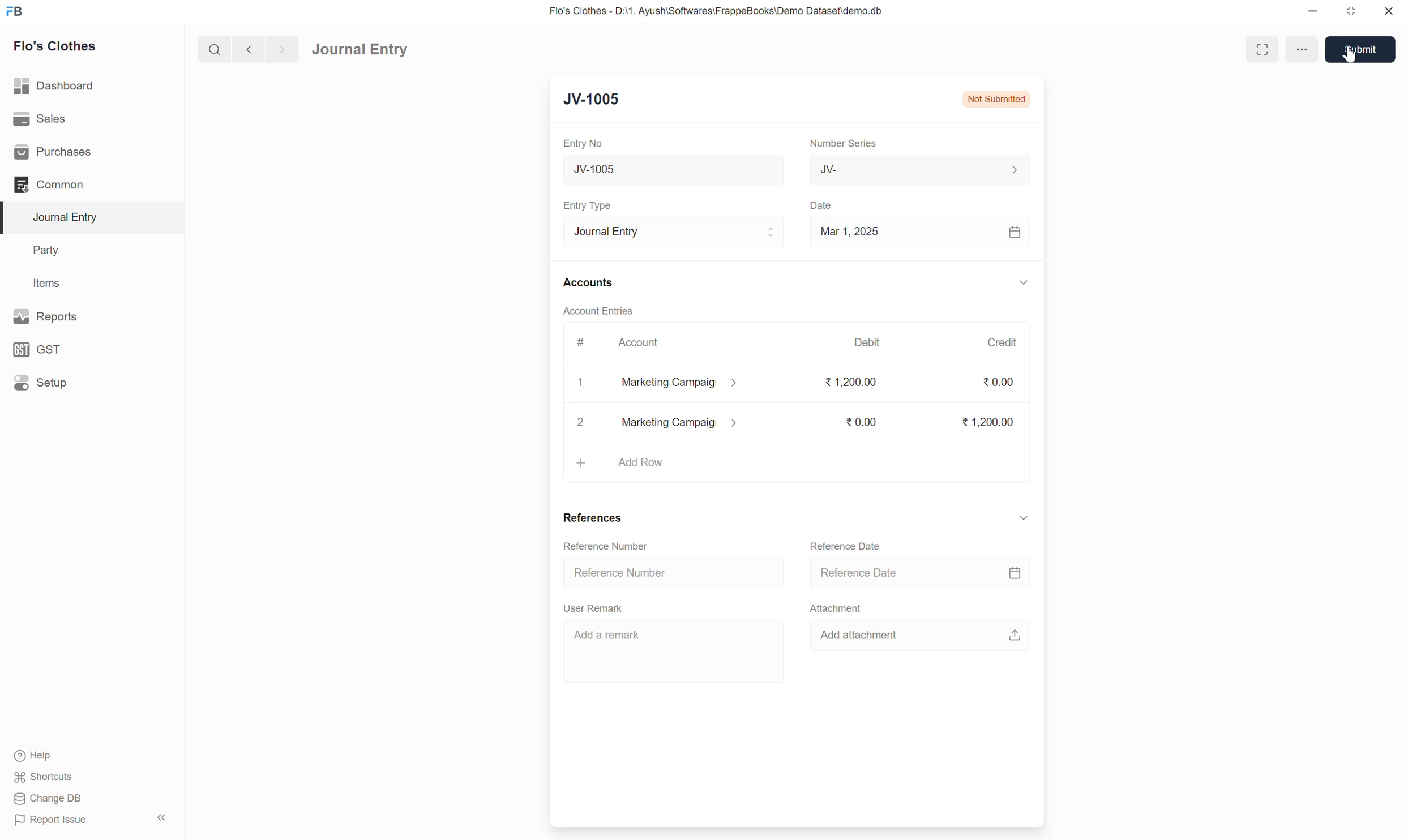 The width and height of the screenshot is (1408, 840). I want to click on Reports, so click(49, 316).